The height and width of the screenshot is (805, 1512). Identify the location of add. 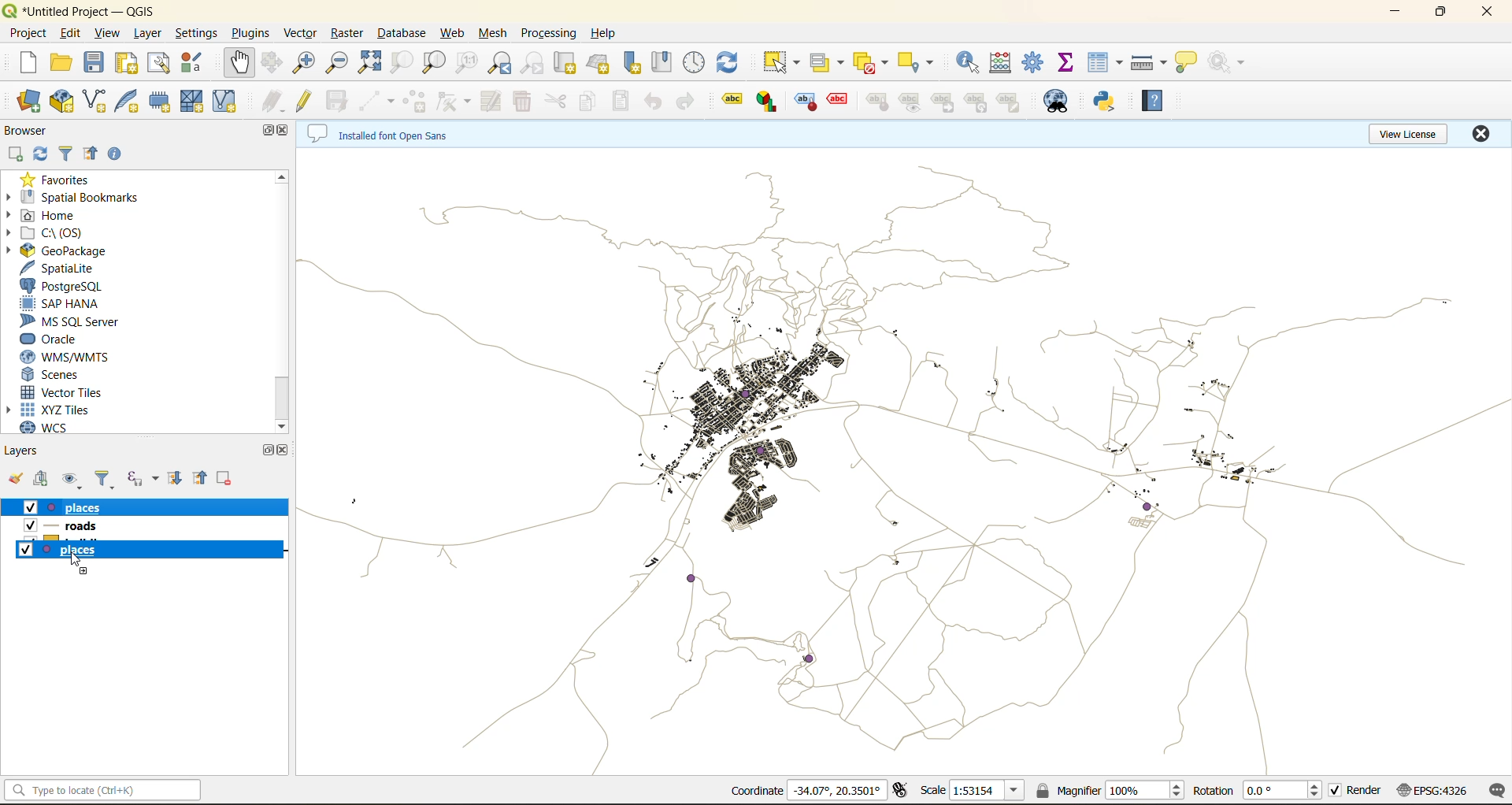
(43, 478).